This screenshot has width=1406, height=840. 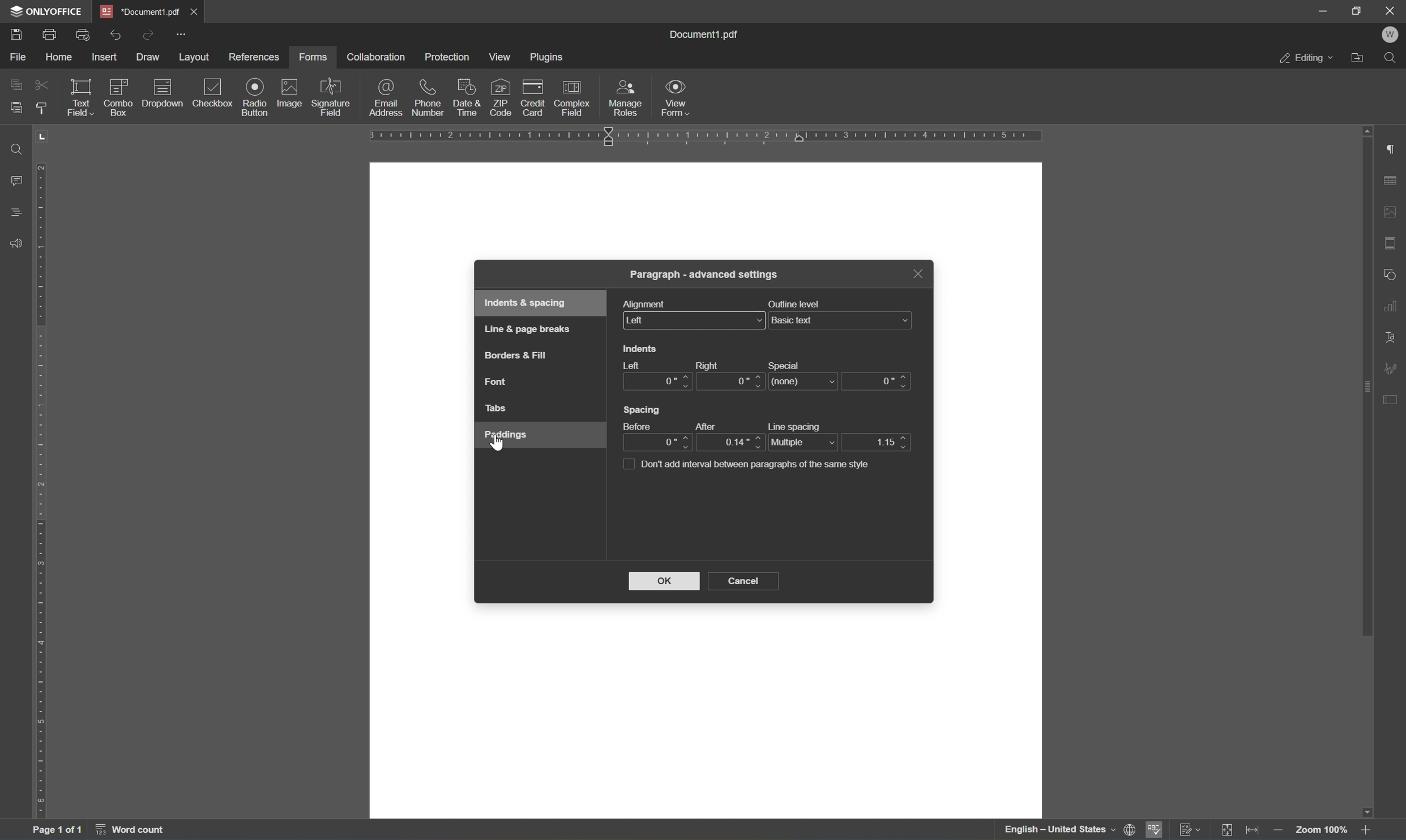 What do you see at coordinates (1323, 10) in the screenshot?
I see `minimize` at bounding box center [1323, 10].